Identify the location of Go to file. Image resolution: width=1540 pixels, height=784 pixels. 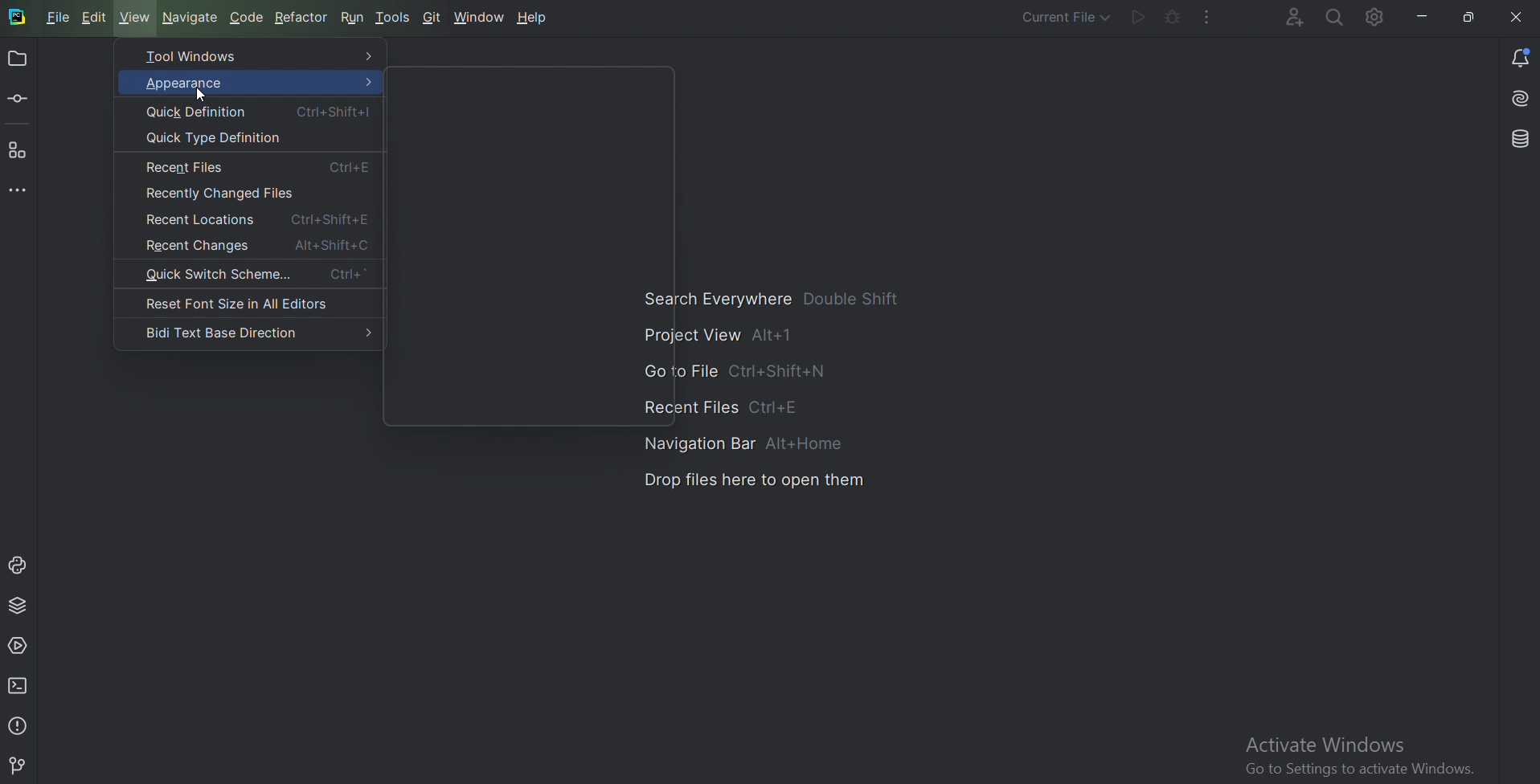
(735, 370).